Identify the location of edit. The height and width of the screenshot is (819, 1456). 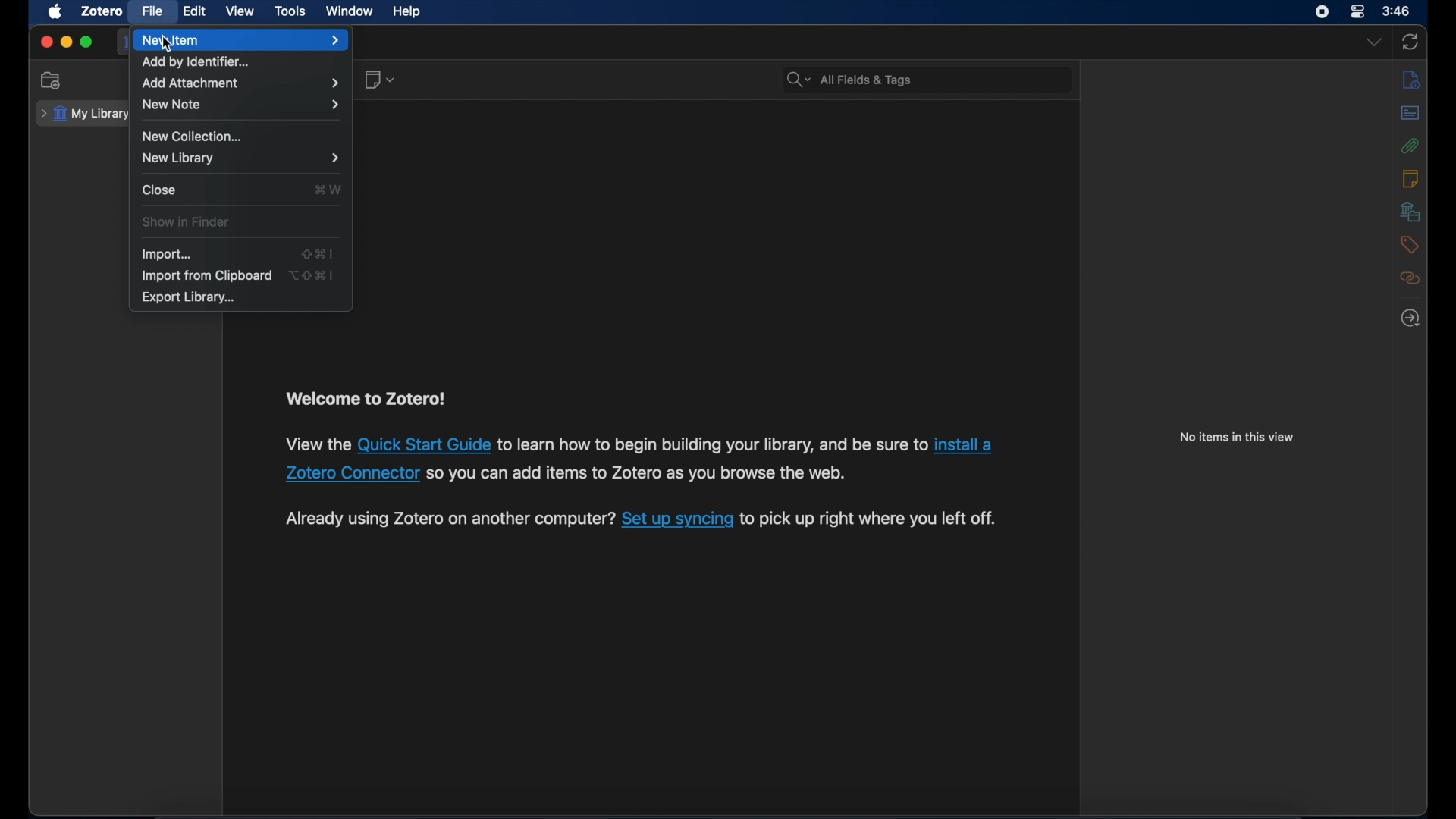
(194, 12).